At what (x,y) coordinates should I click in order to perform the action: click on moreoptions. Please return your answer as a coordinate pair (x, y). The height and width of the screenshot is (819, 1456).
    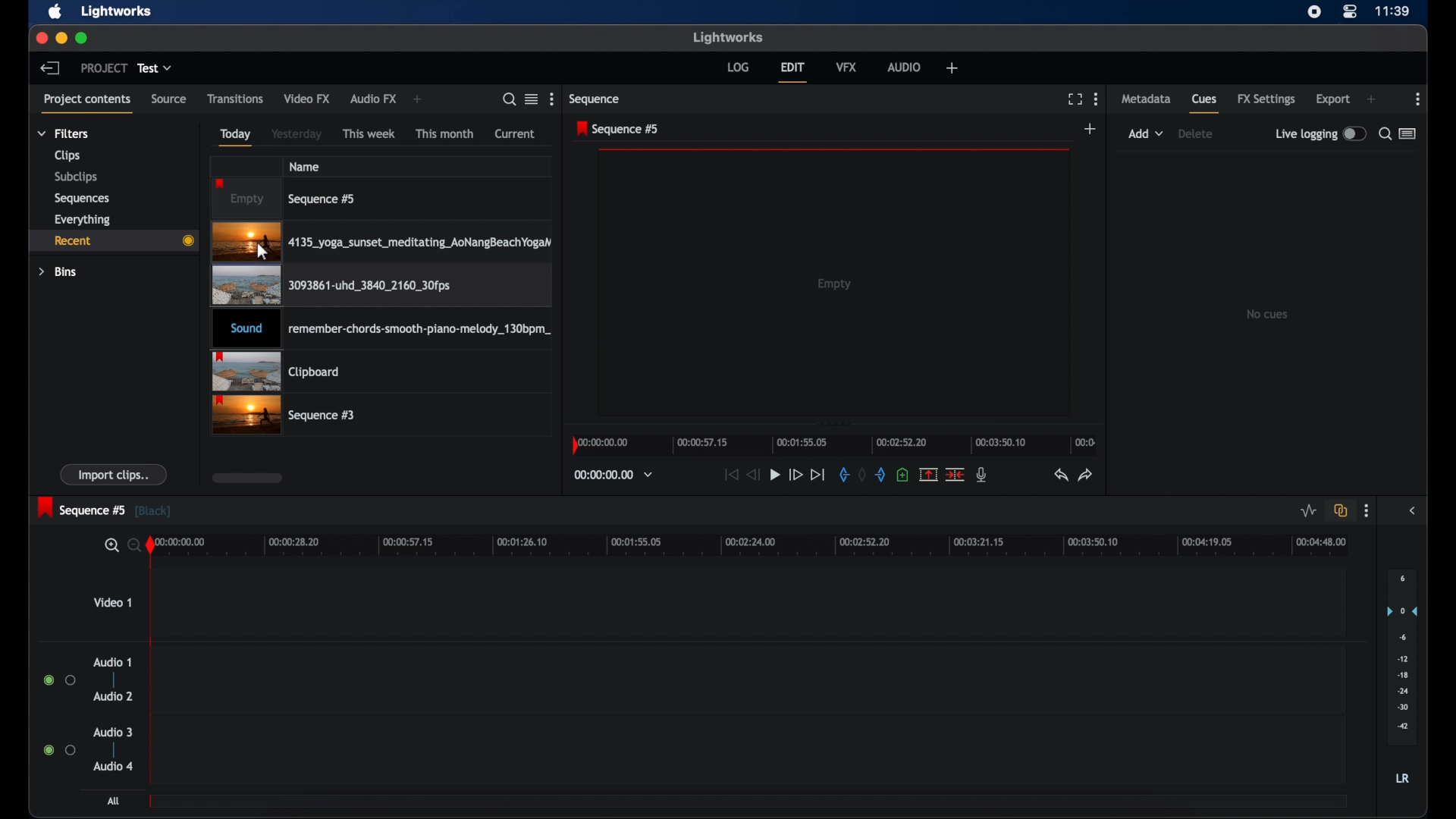
    Looking at the image, I should click on (1418, 99).